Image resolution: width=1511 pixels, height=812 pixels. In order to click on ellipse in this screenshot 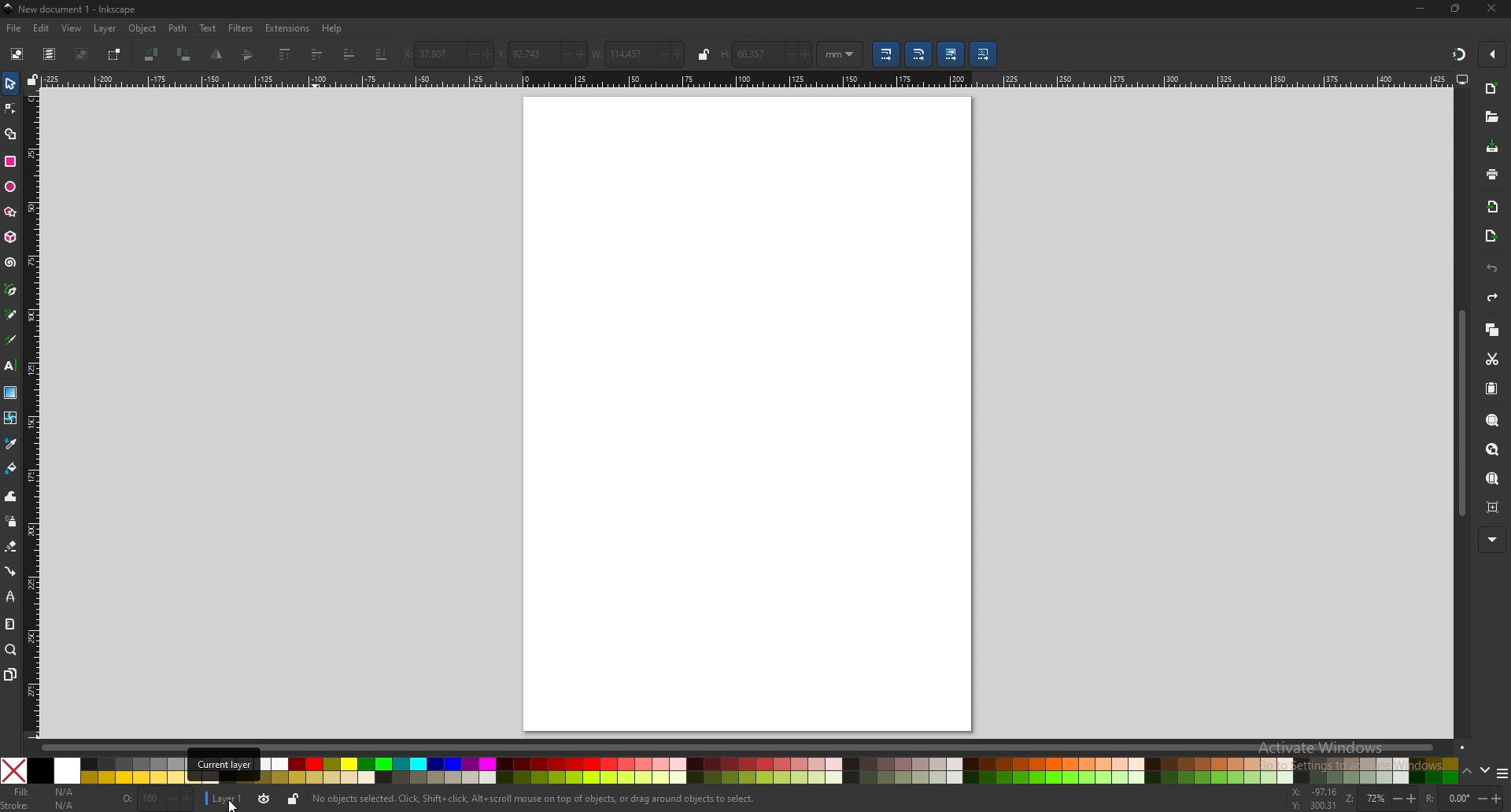, I will do `click(10, 186)`.